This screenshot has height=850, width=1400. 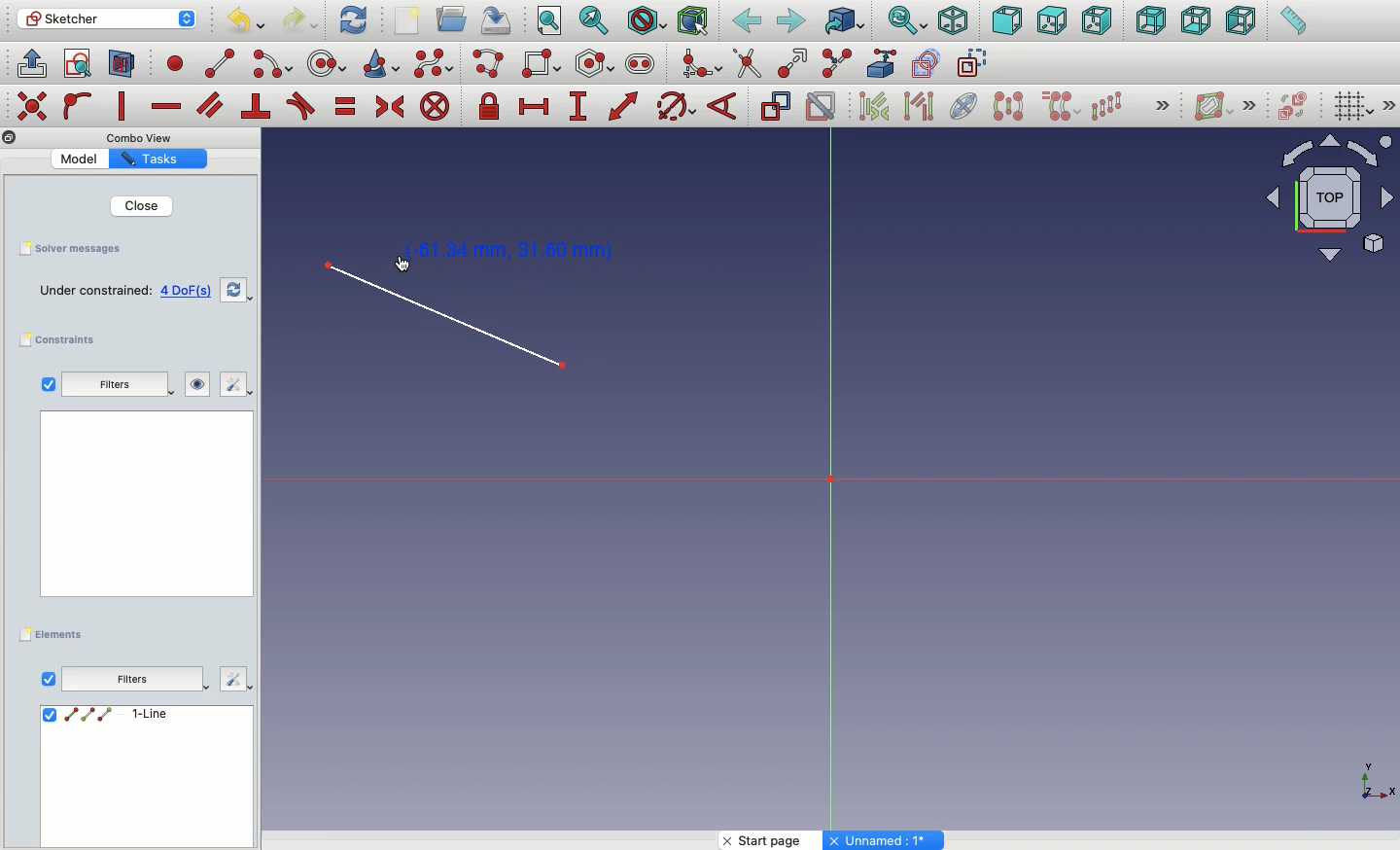 What do you see at coordinates (79, 159) in the screenshot?
I see `Value` at bounding box center [79, 159].